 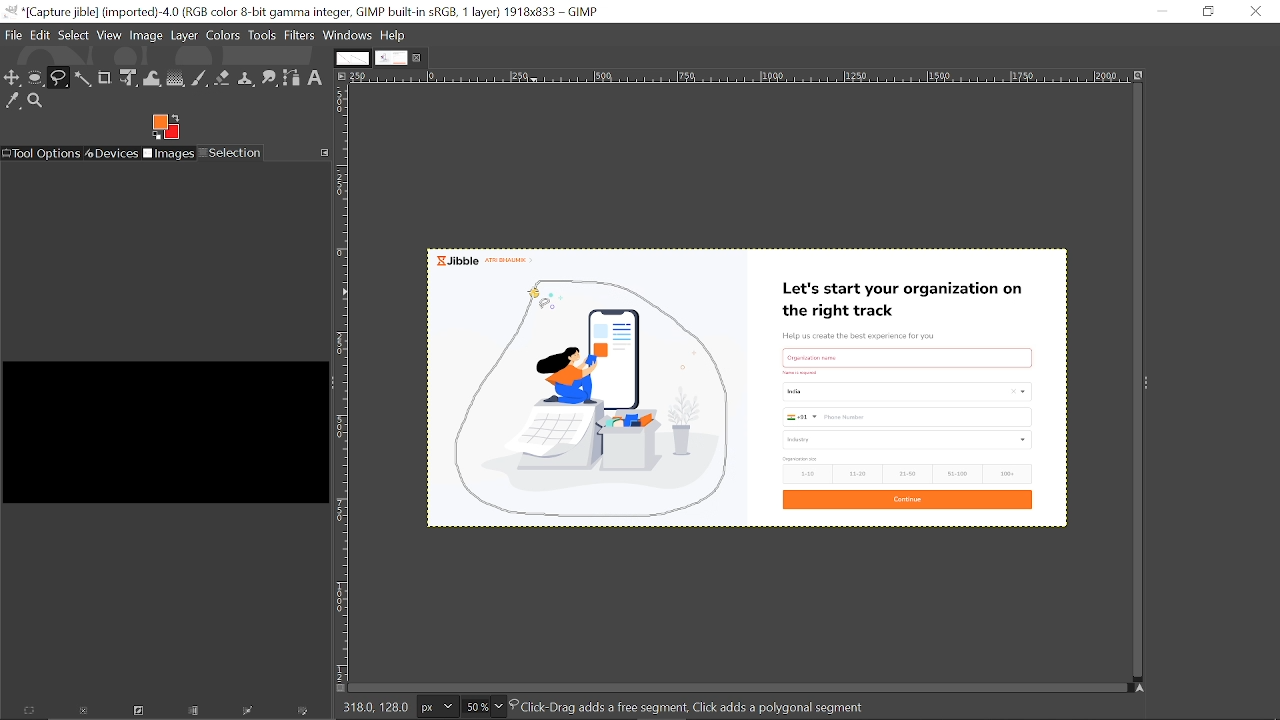 I want to click on Ellipse select tool, so click(x=36, y=79).